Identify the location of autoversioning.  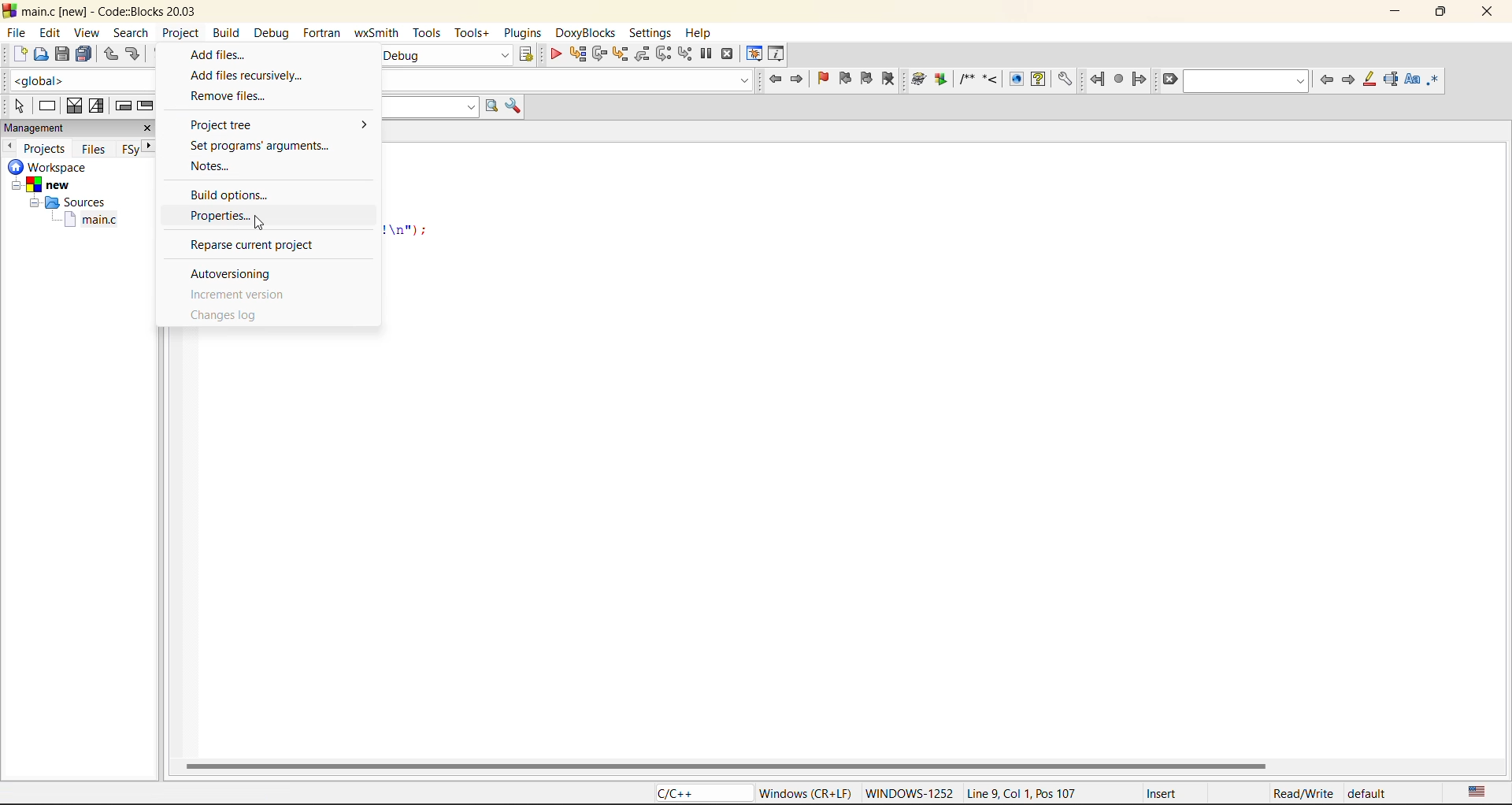
(238, 270).